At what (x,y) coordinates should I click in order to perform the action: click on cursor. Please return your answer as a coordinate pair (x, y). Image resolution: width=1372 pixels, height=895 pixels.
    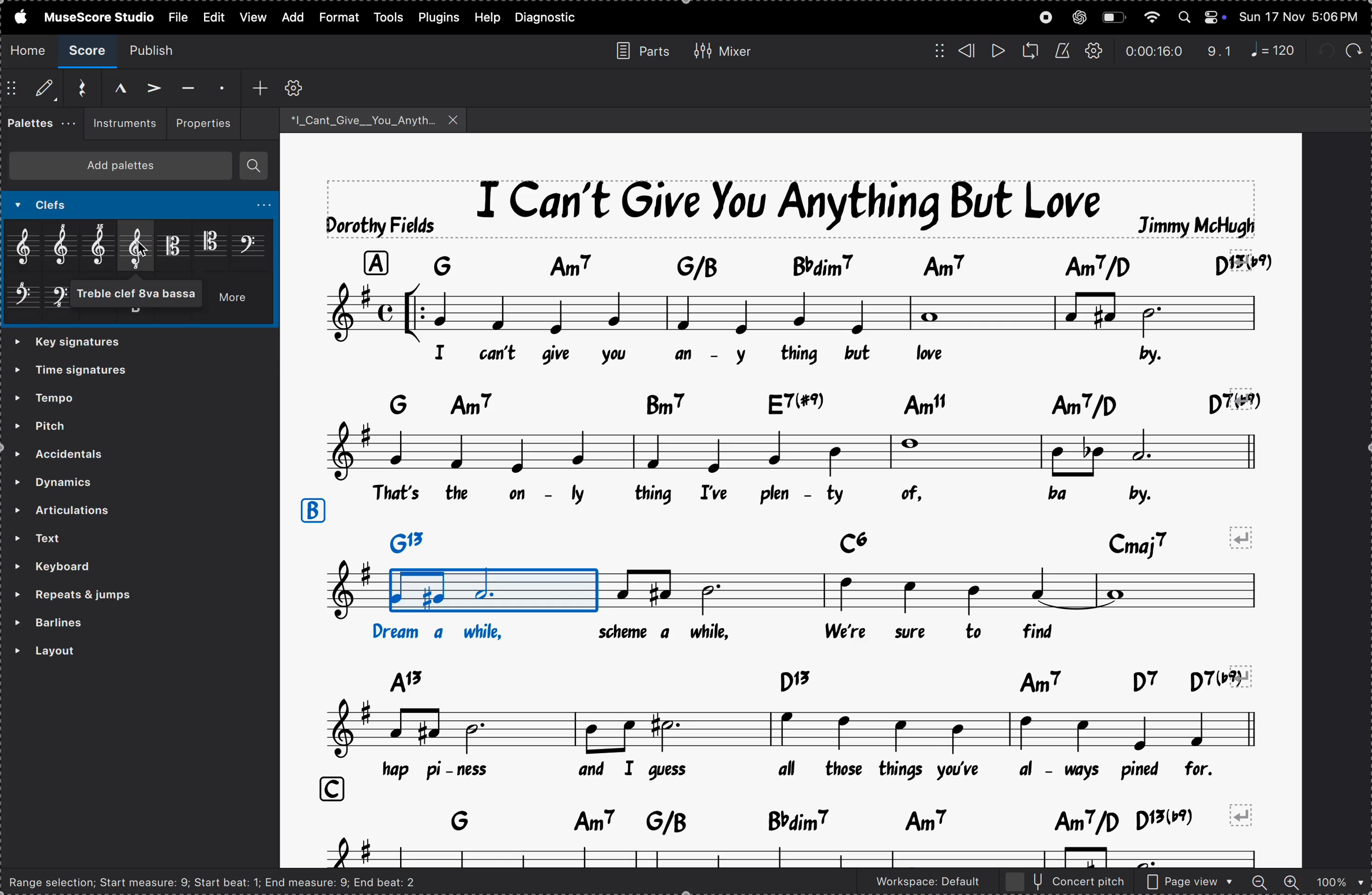
    Looking at the image, I should click on (142, 252).